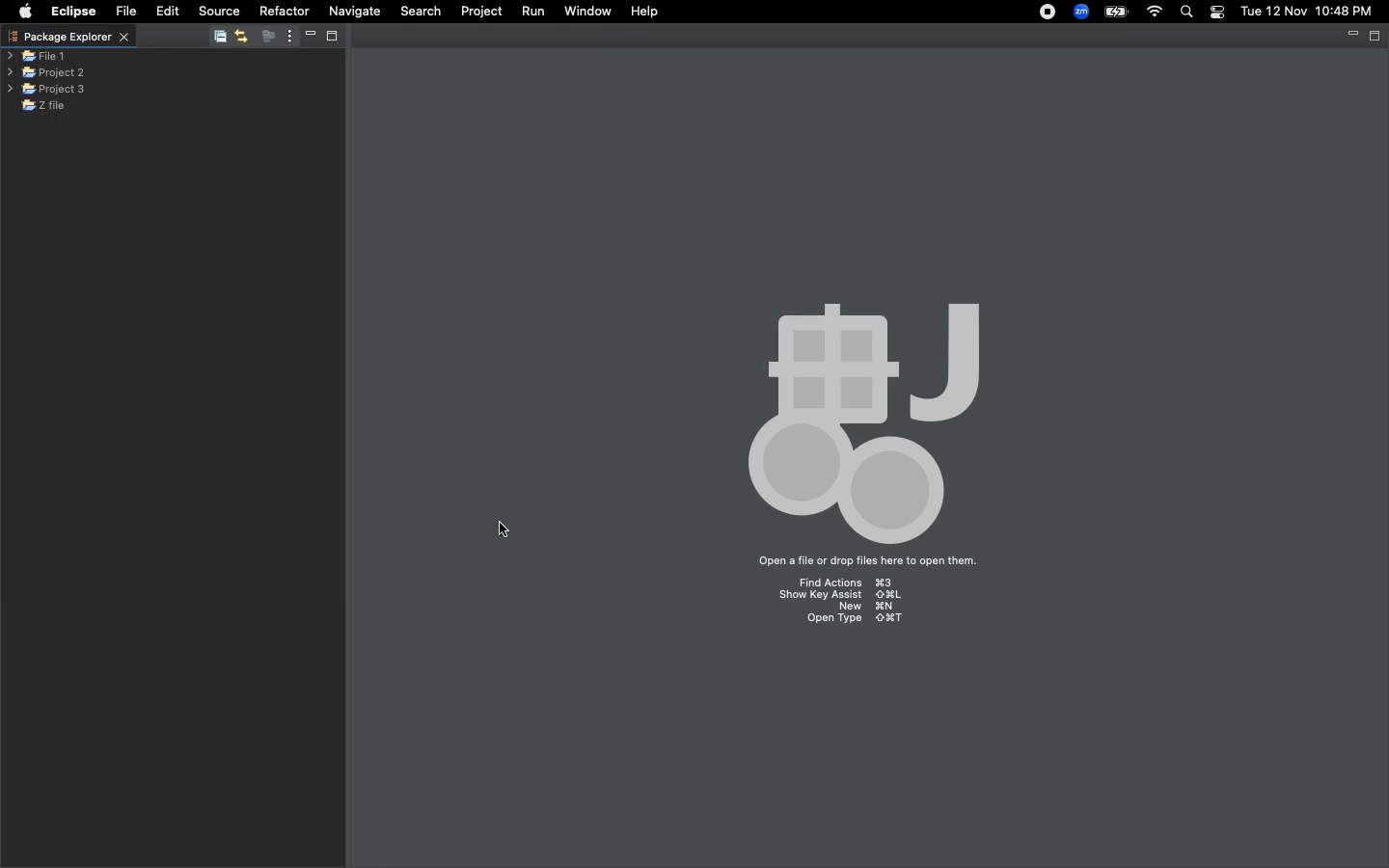  What do you see at coordinates (1157, 12) in the screenshot?
I see `Internet` at bounding box center [1157, 12].